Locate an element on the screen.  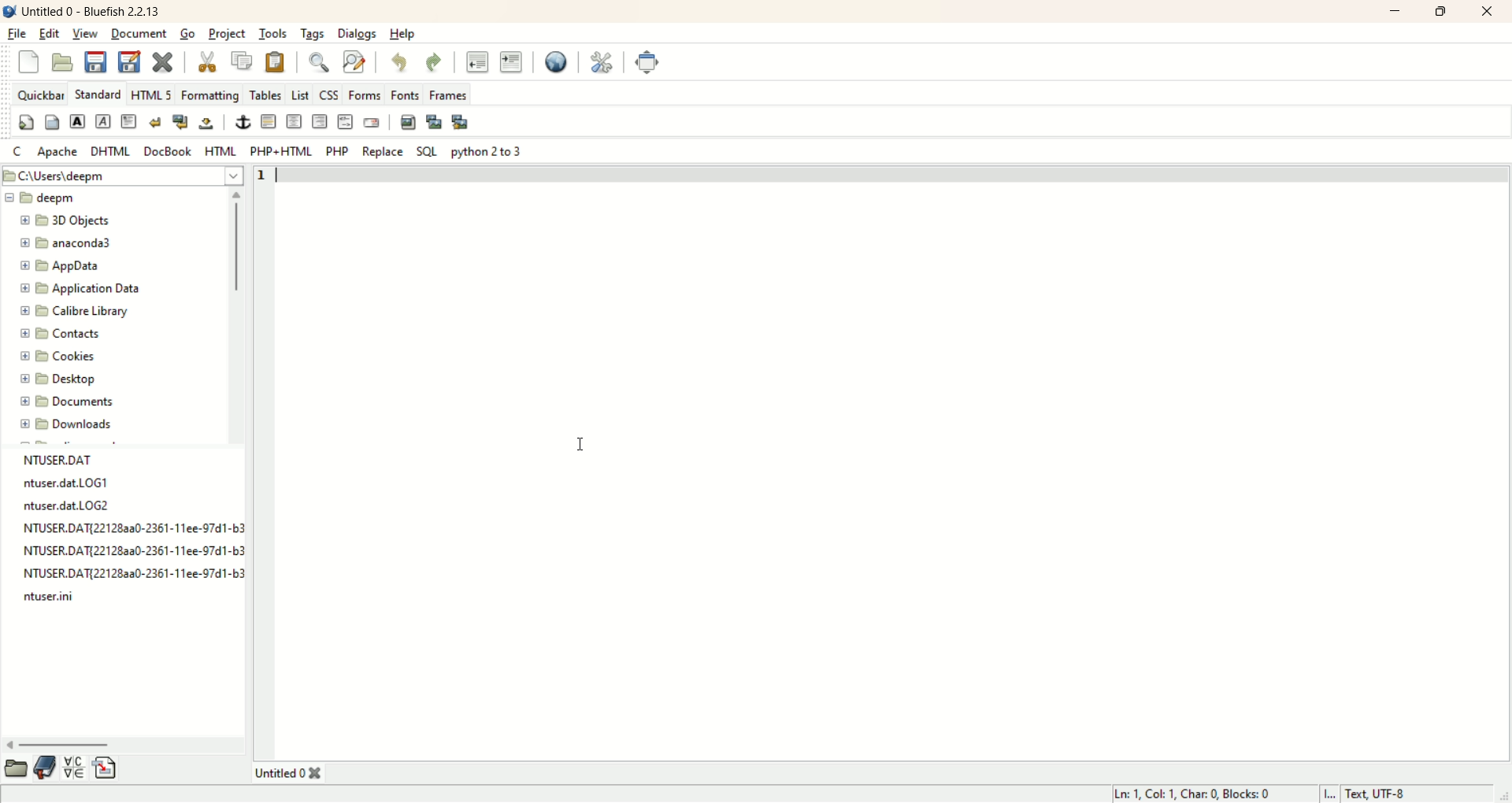
documentations is located at coordinates (46, 768).